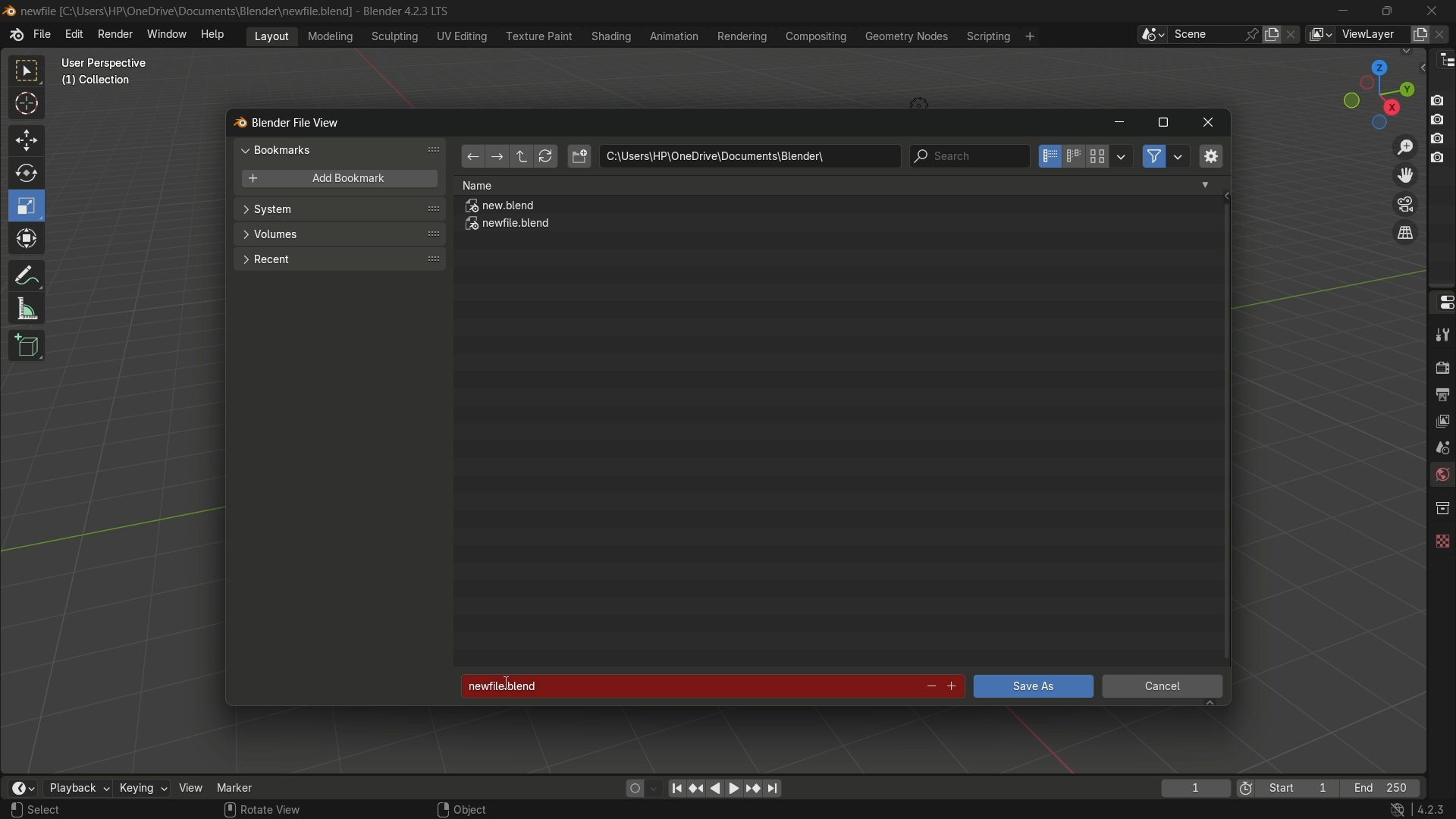 This screenshot has width=1456, height=819. I want to click on decrement number in file name, so click(929, 688).